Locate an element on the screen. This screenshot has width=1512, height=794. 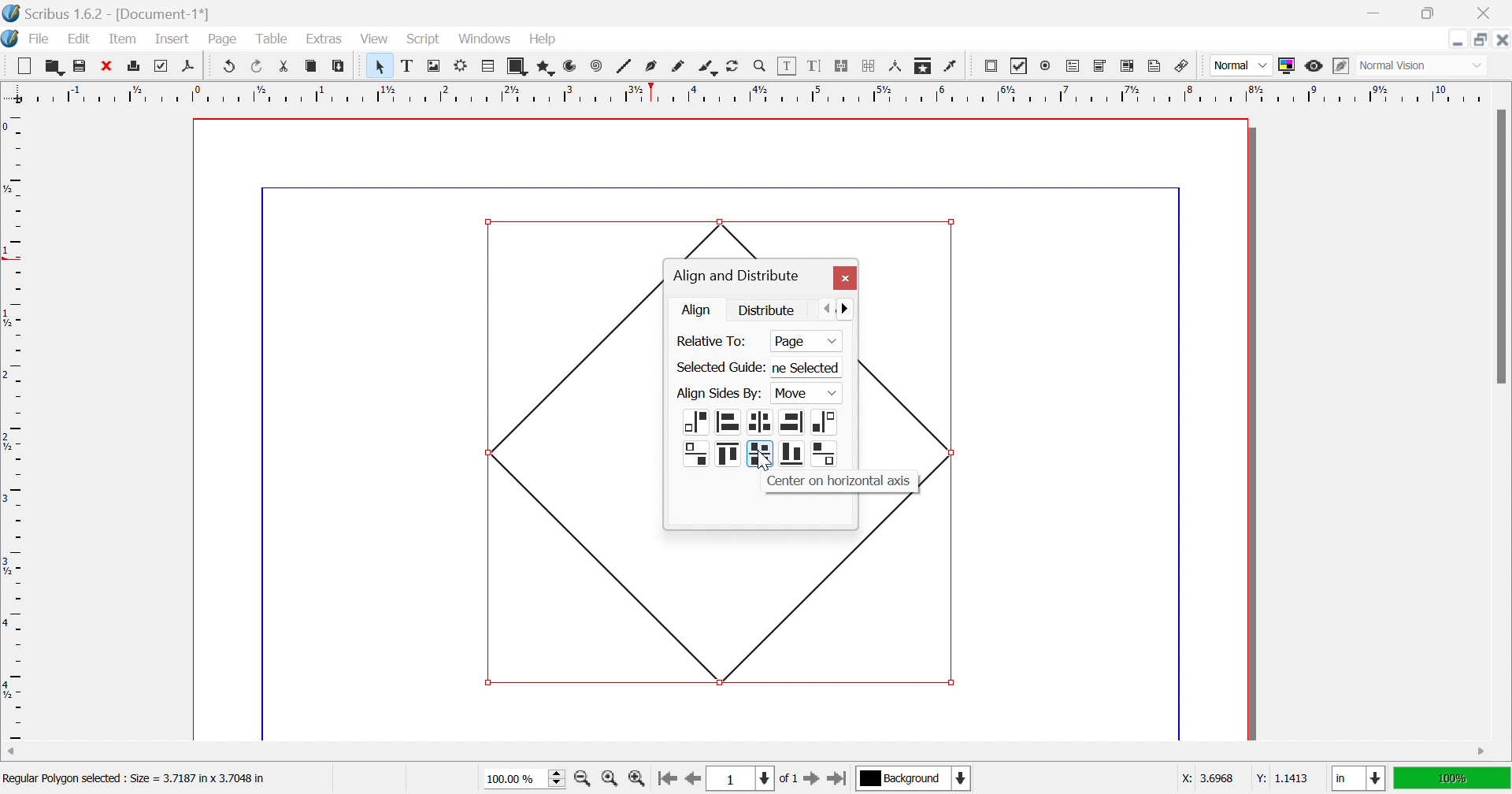
Go to the next page is located at coordinates (813, 782).